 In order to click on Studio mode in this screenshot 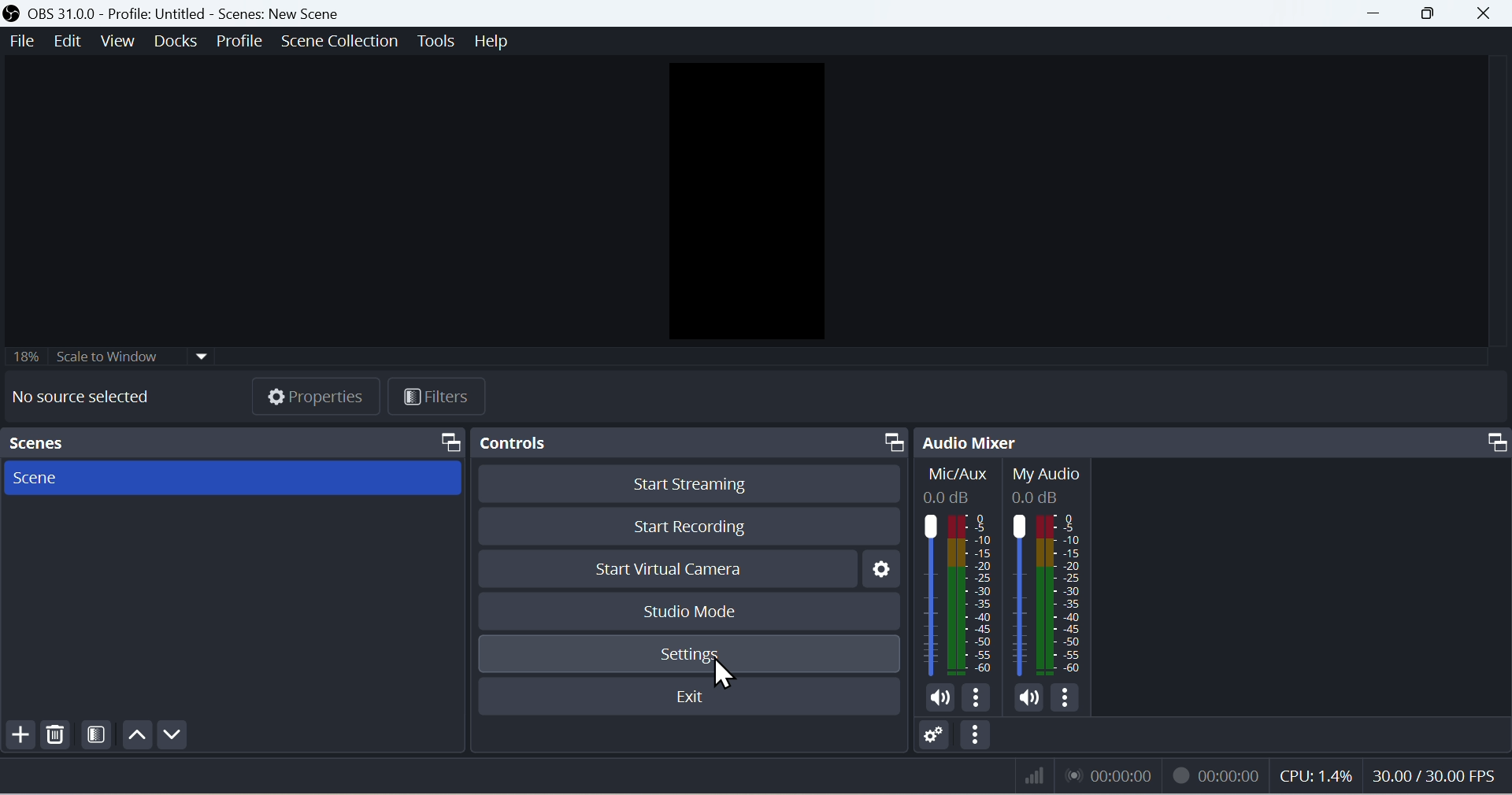, I will do `click(707, 609)`.